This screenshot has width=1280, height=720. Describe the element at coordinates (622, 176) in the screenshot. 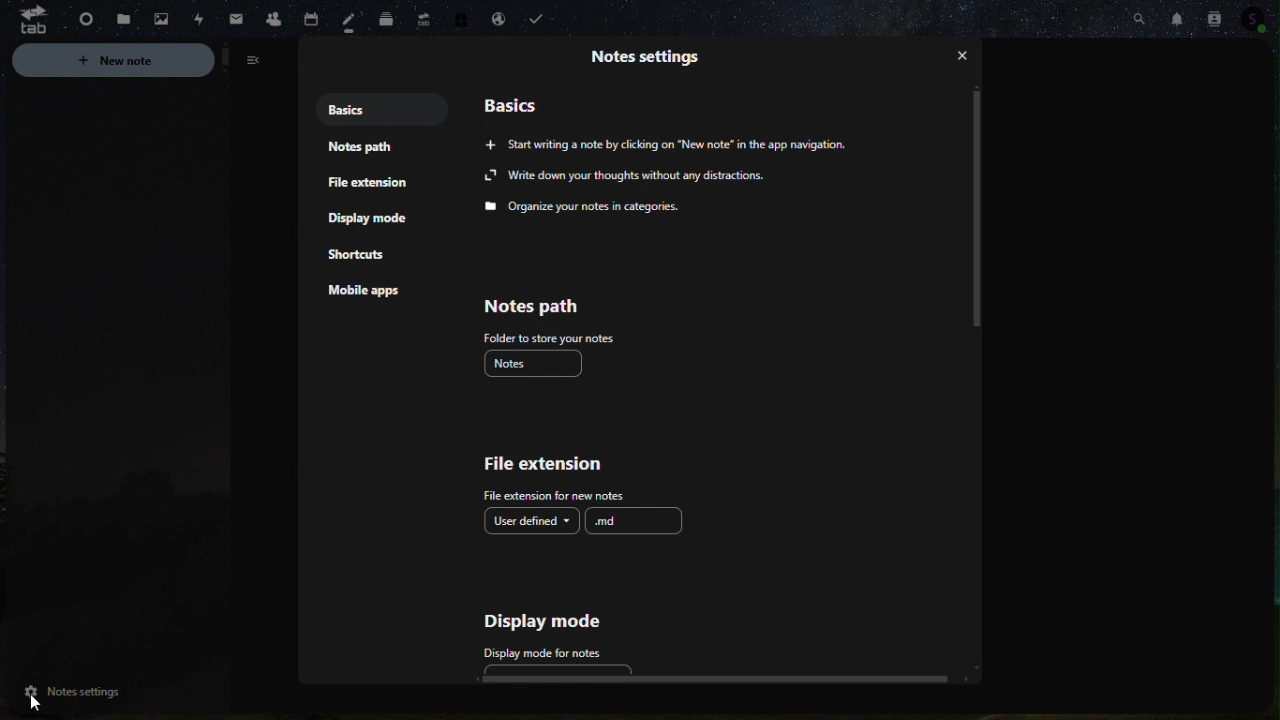

I see ` Write down your thoughts without any distractions.` at that location.